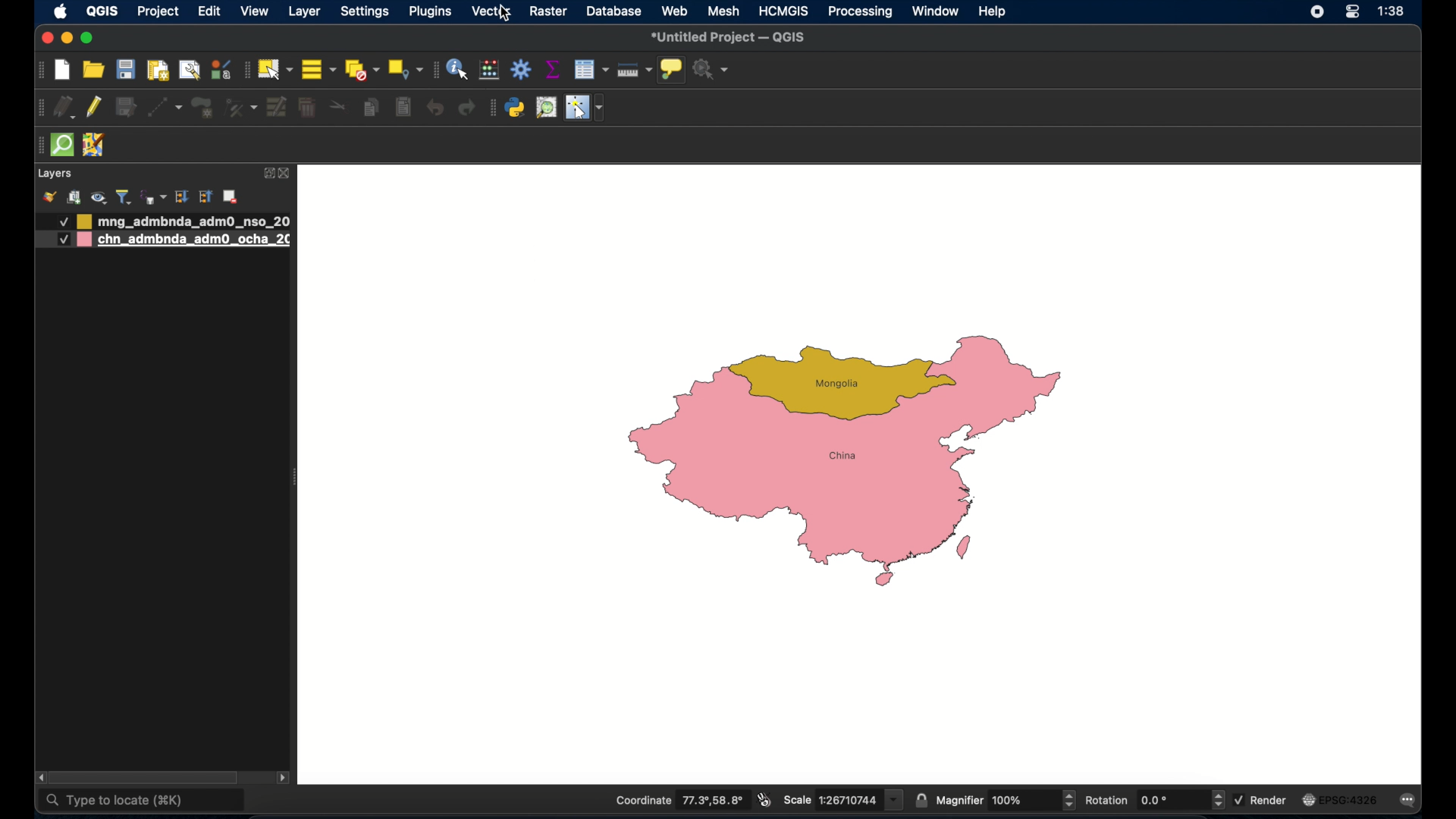 This screenshot has width=1456, height=819. What do you see at coordinates (220, 69) in the screenshot?
I see `style manager` at bounding box center [220, 69].